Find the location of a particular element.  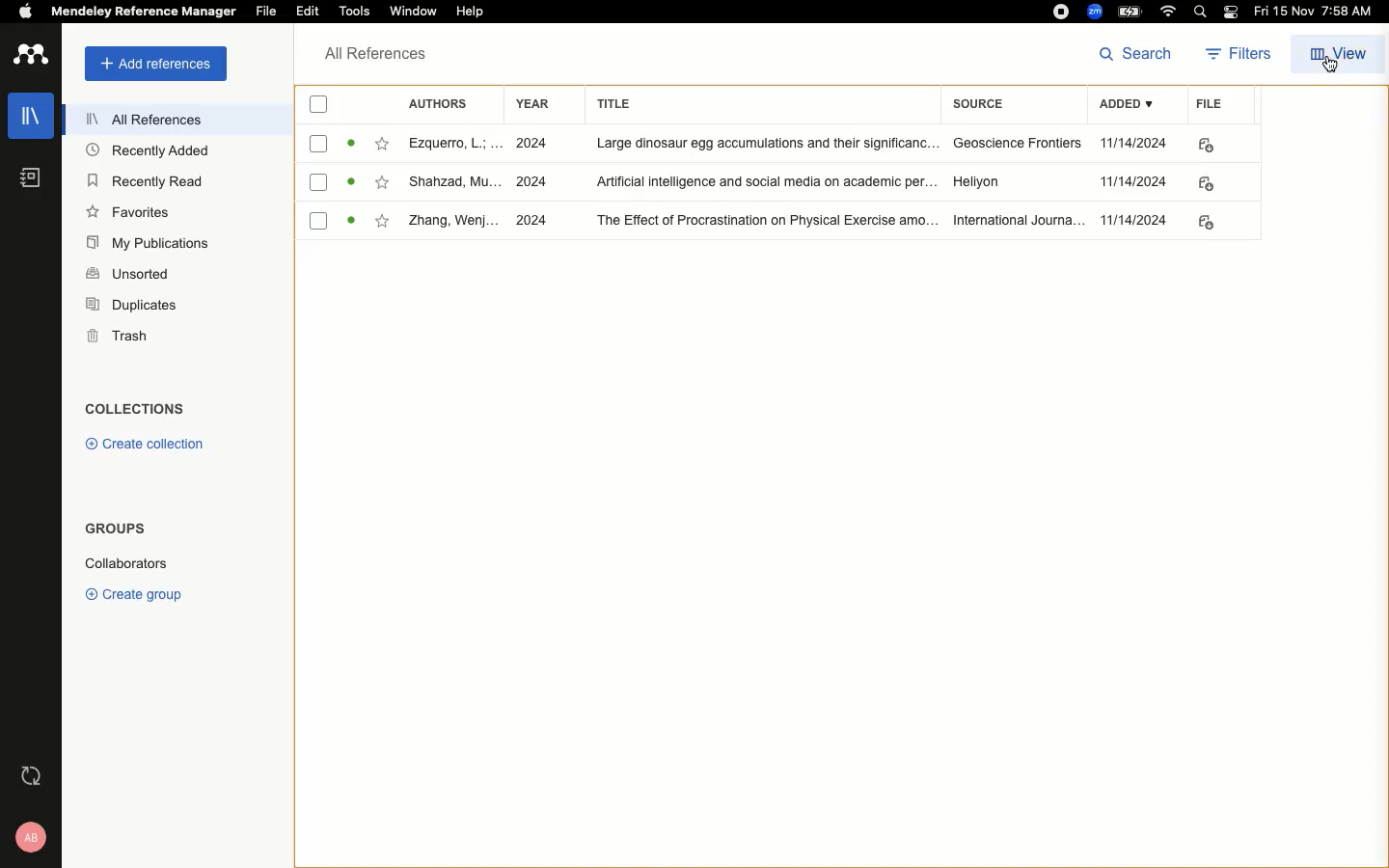

Search is located at coordinates (1197, 12).